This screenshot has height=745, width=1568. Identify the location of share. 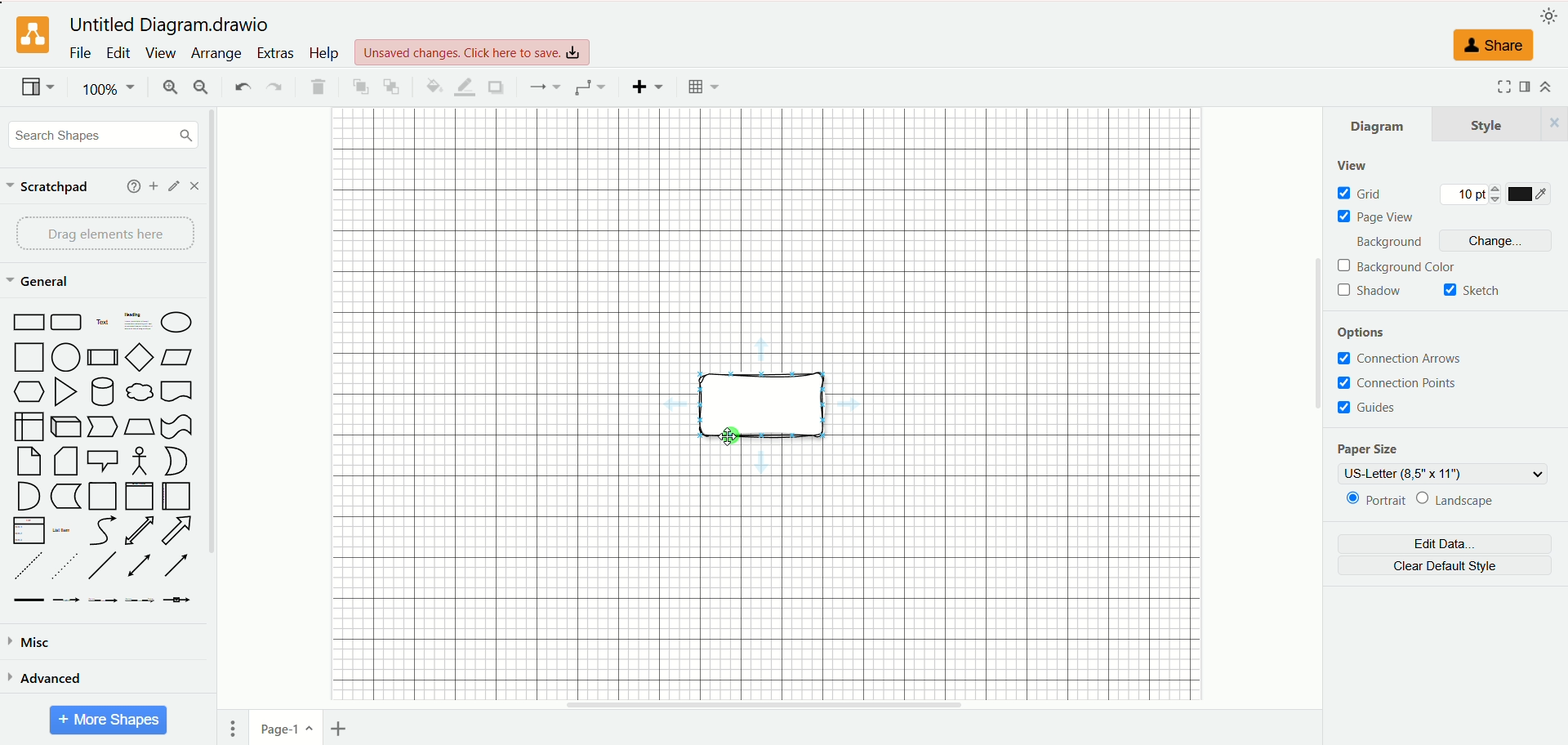
(1491, 45).